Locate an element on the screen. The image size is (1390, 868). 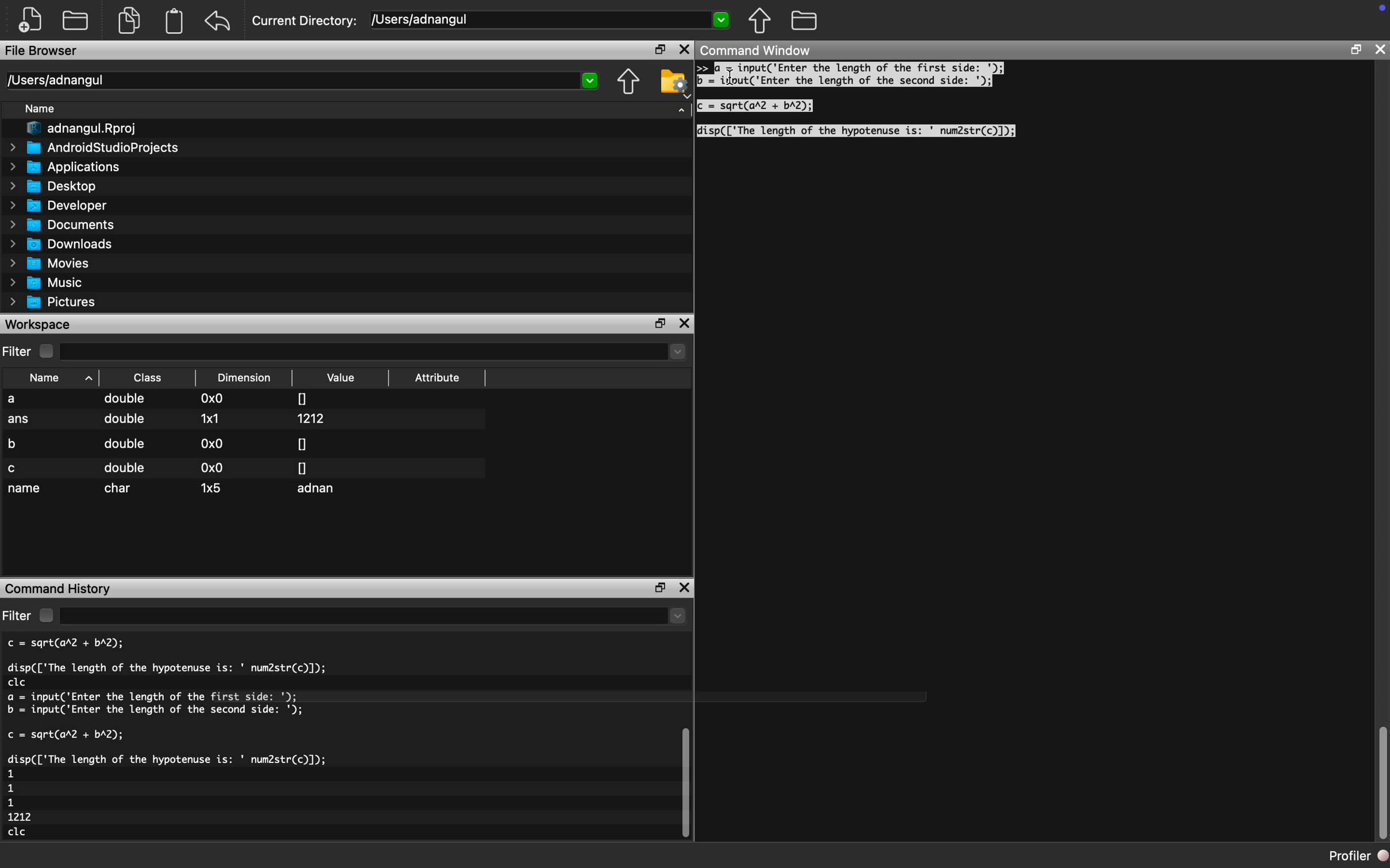
AndroidStudioProjects is located at coordinates (96, 148).